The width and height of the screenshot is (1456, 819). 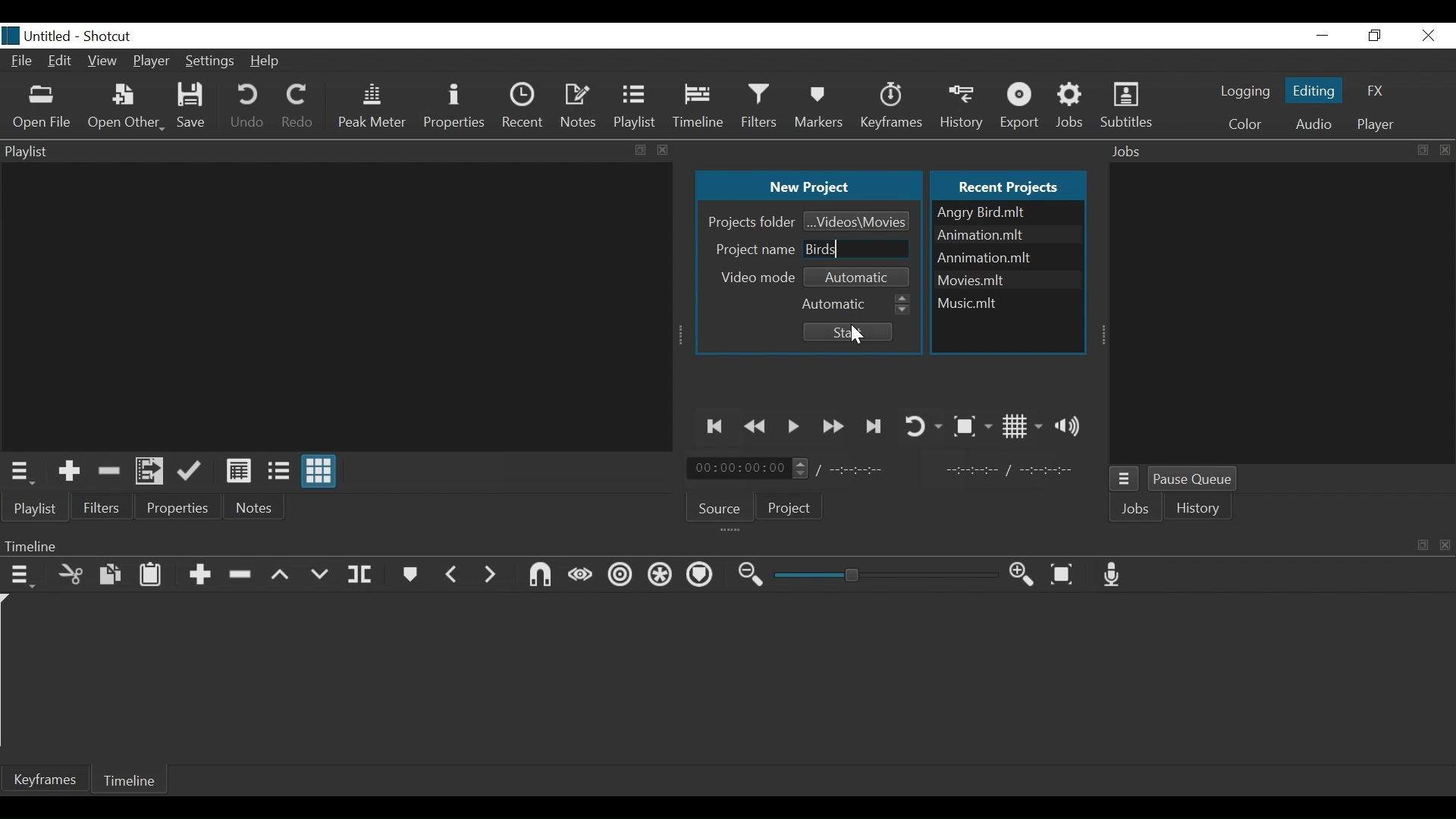 What do you see at coordinates (720, 506) in the screenshot?
I see `Source` at bounding box center [720, 506].